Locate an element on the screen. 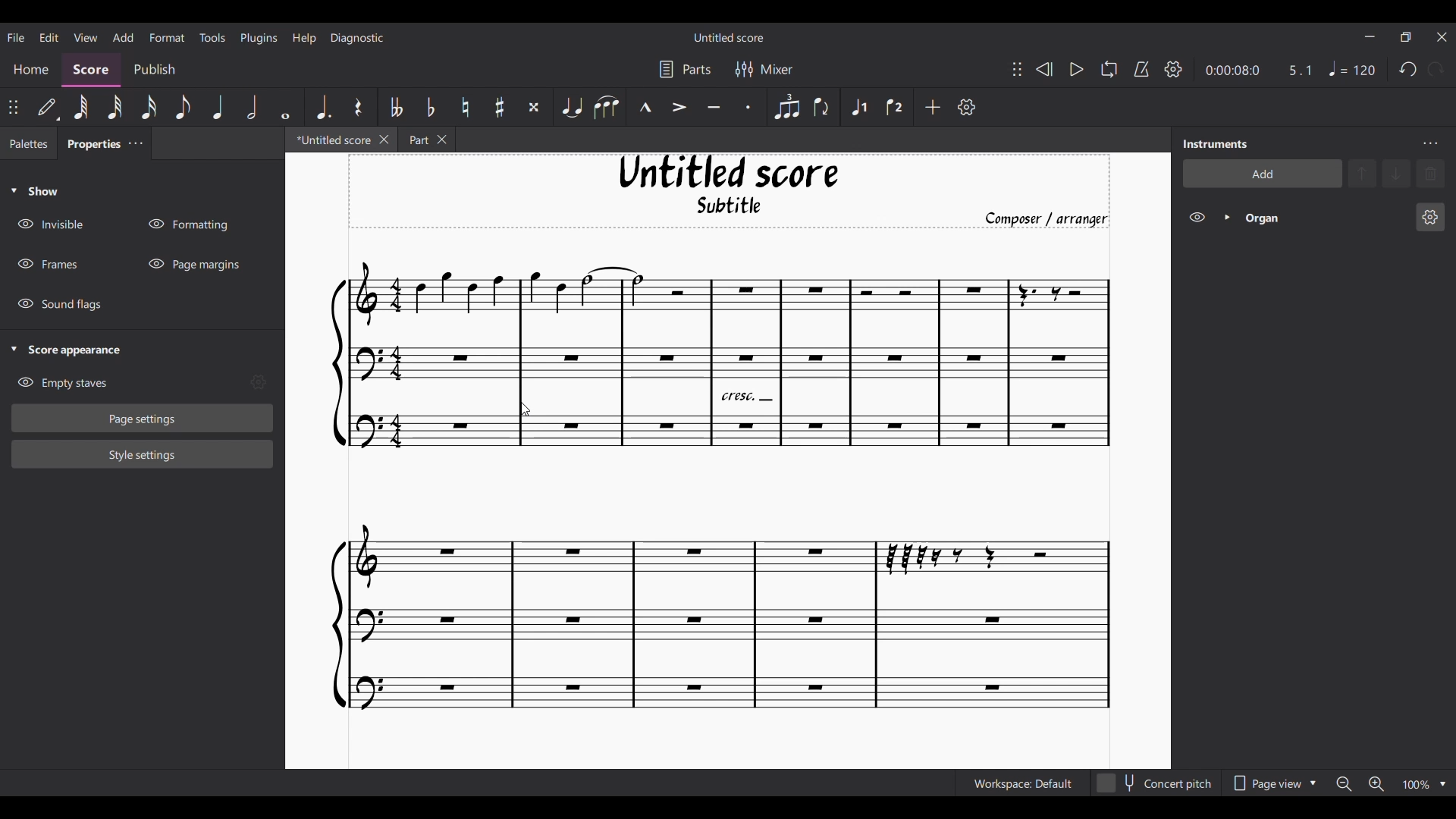  Change position of toolbar attached is located at coordinates (1016, 69).